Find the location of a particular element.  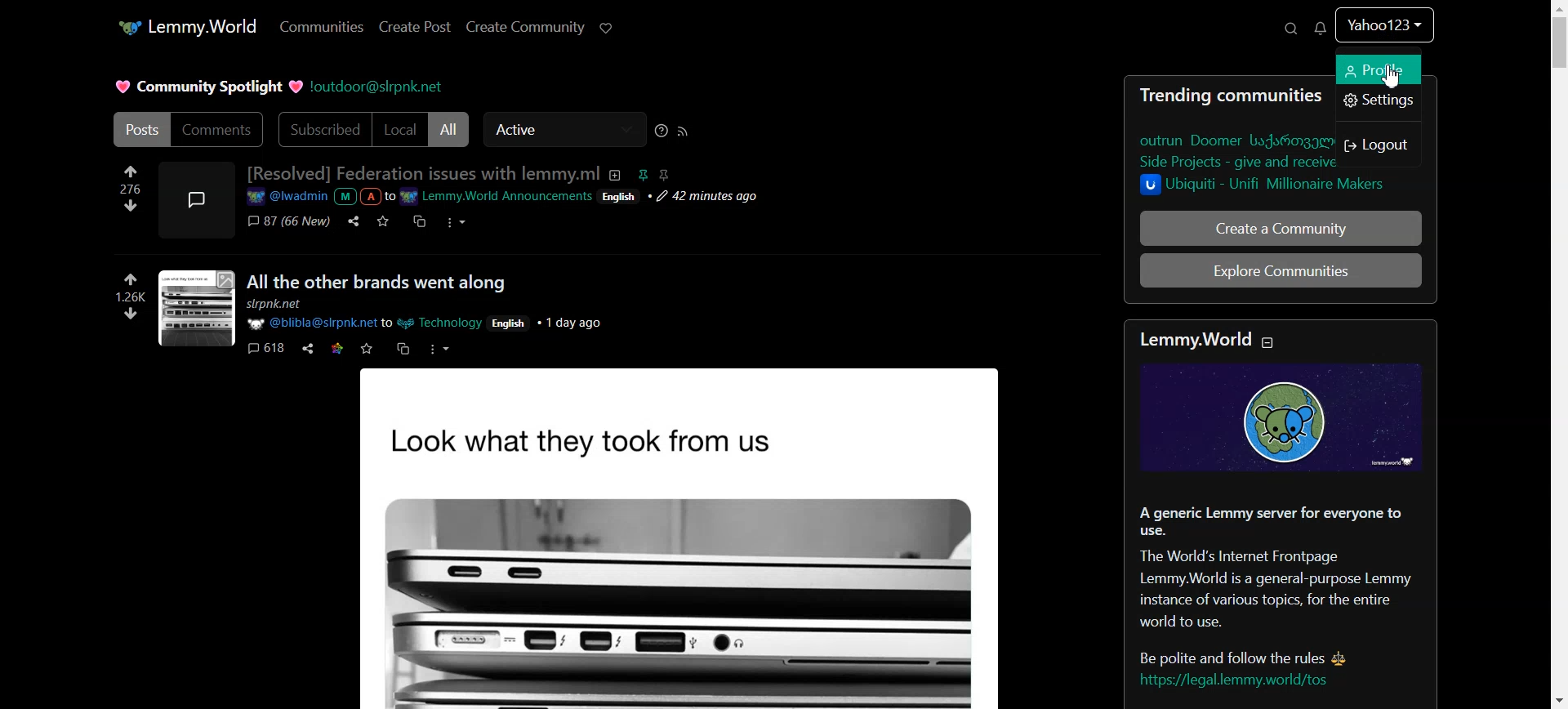

Downvote is located at coordinates (129, 205).